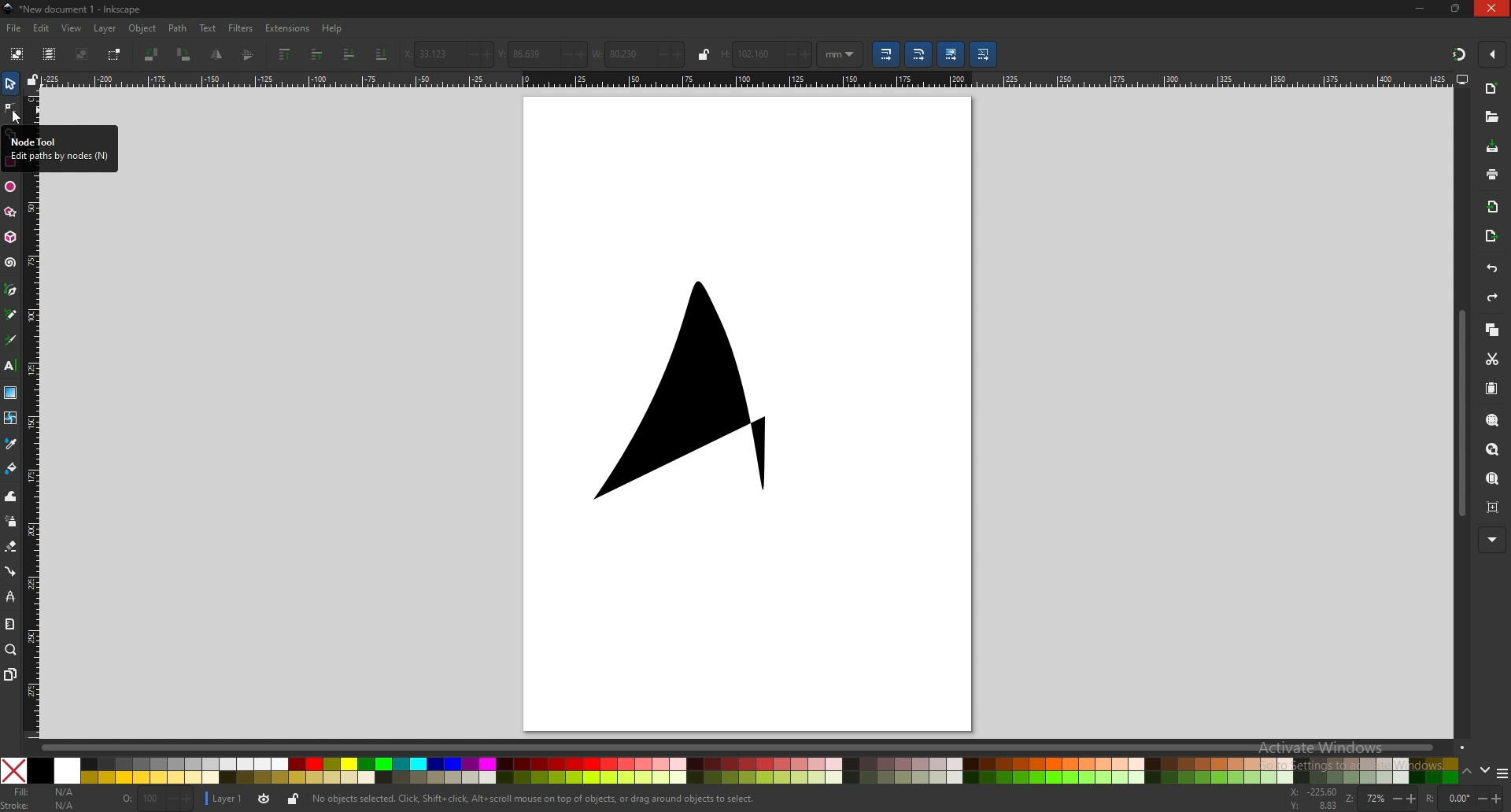 This screenshot has width=1511, height=812. Describe the element at coordinates (72, 29) in the screenshot. I see `view` at that location.